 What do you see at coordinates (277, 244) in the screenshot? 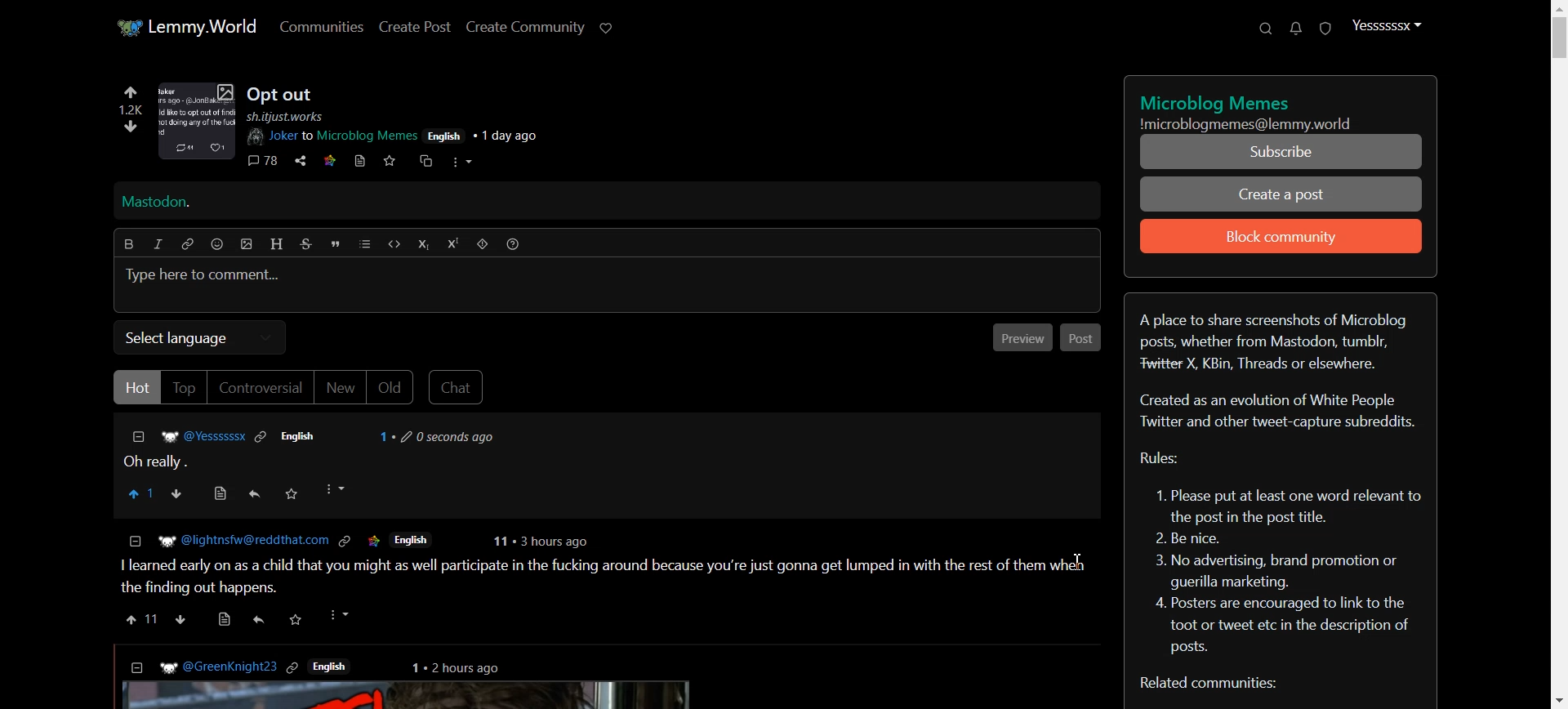
I see `Header` at bounding box center [277, 244].